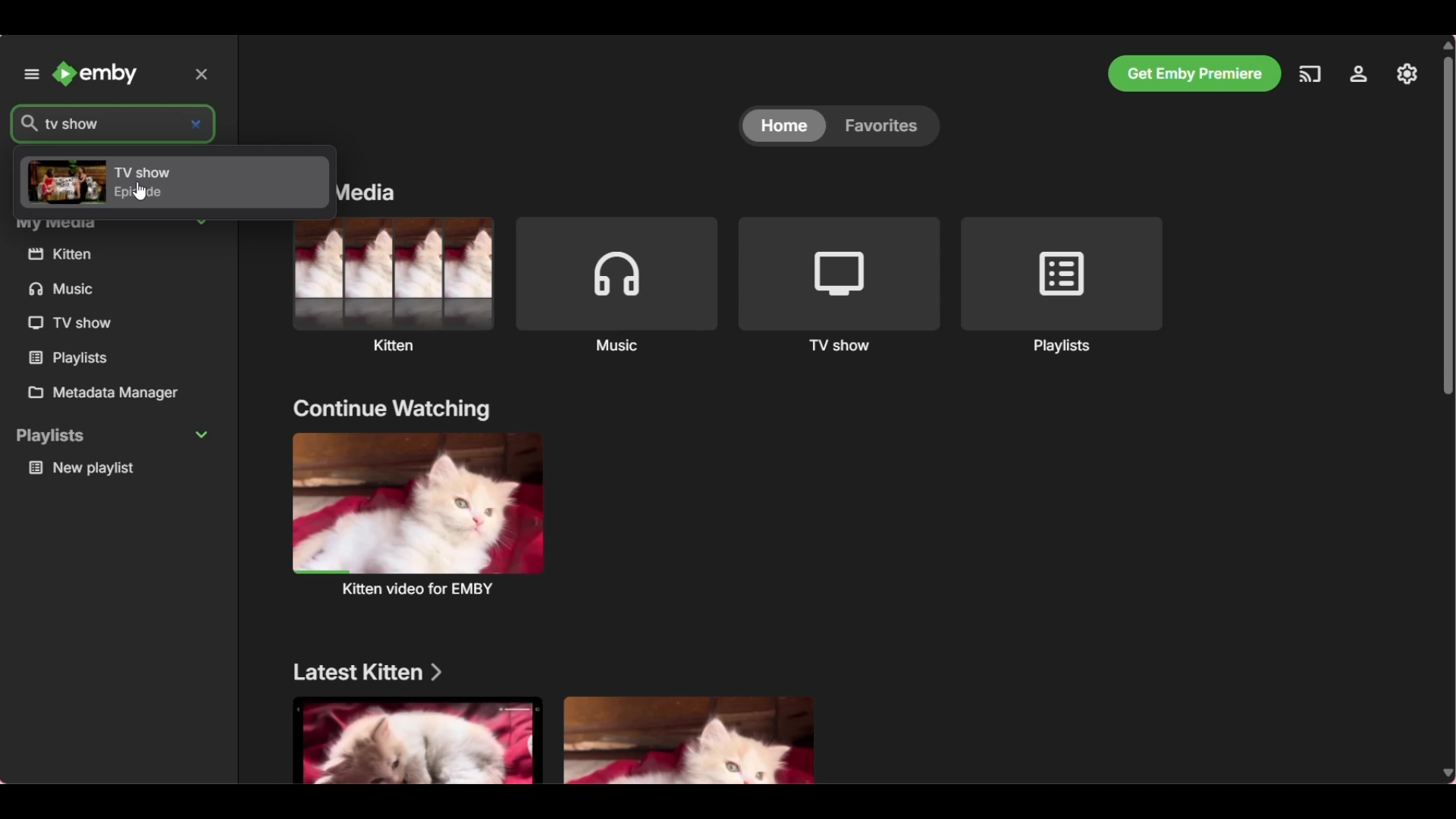 This screenshot has height=819, width=1456. Describe the element at coordinates (693, 742) in the screenshot. I see `Media files under above mentioned section` at that location.